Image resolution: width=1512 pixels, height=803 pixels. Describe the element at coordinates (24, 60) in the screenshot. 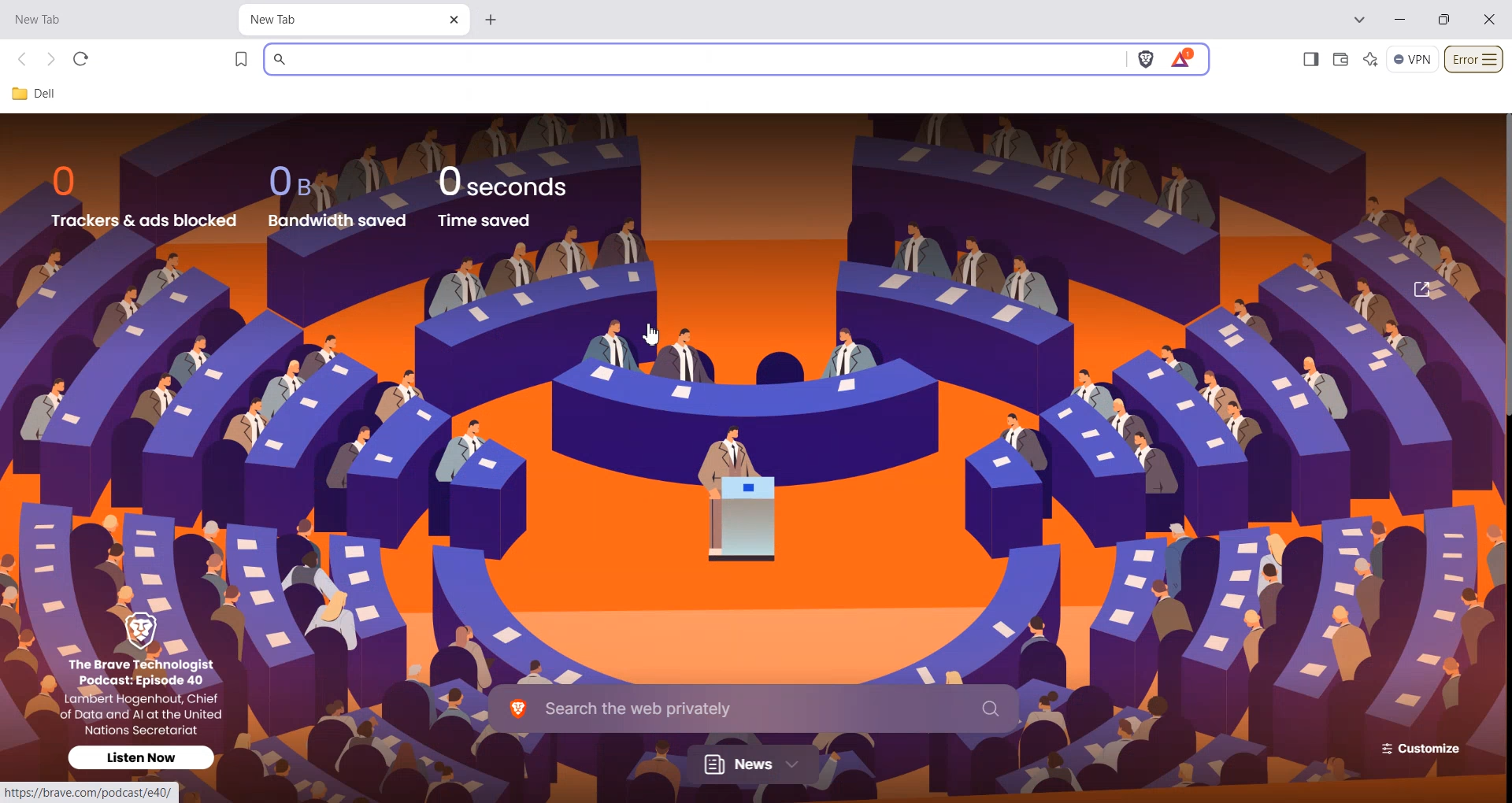

I see `Back` at that location.